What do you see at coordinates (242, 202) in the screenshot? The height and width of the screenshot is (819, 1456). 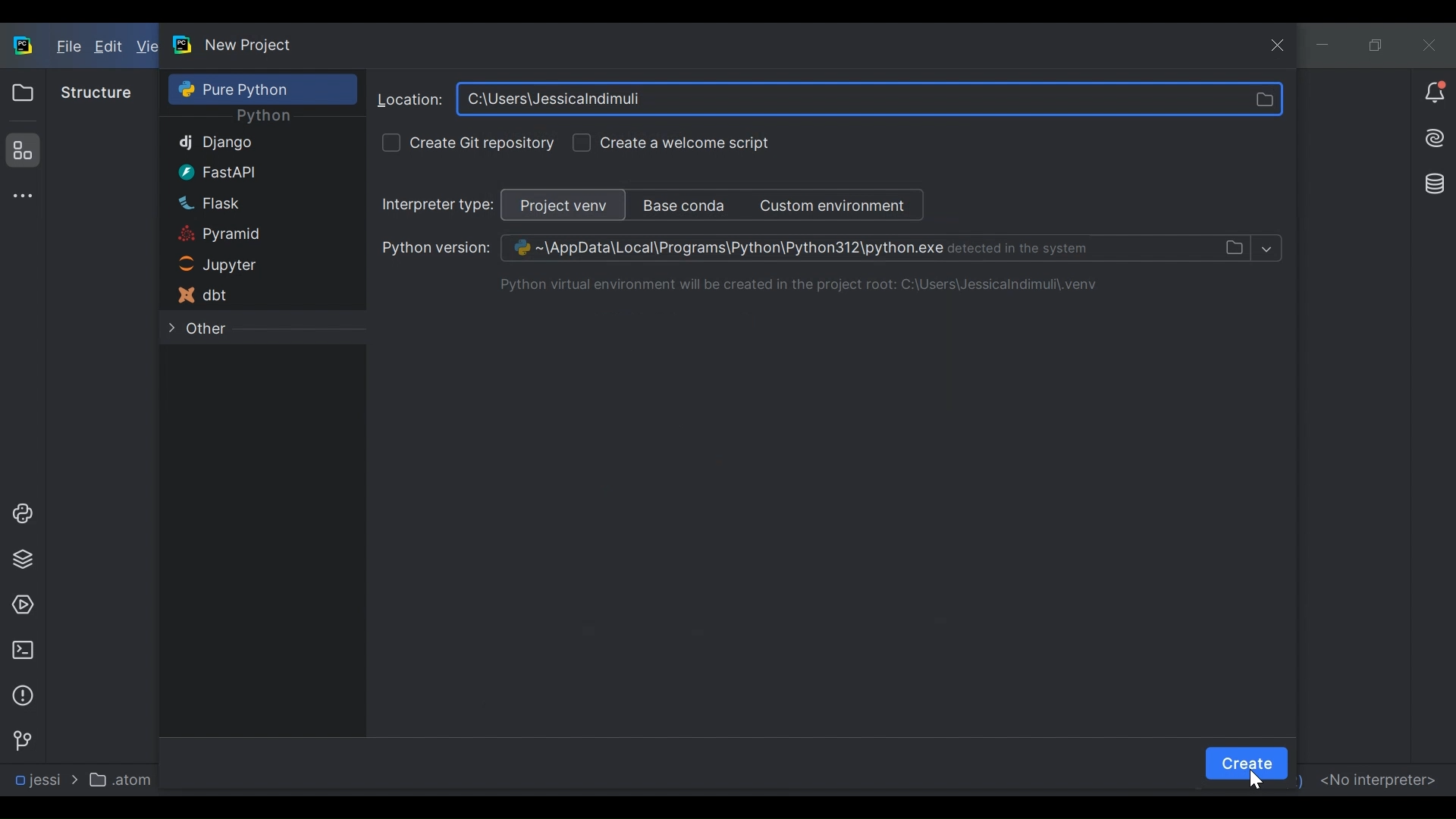 I see `Flask` at bounding box center [242, 202].